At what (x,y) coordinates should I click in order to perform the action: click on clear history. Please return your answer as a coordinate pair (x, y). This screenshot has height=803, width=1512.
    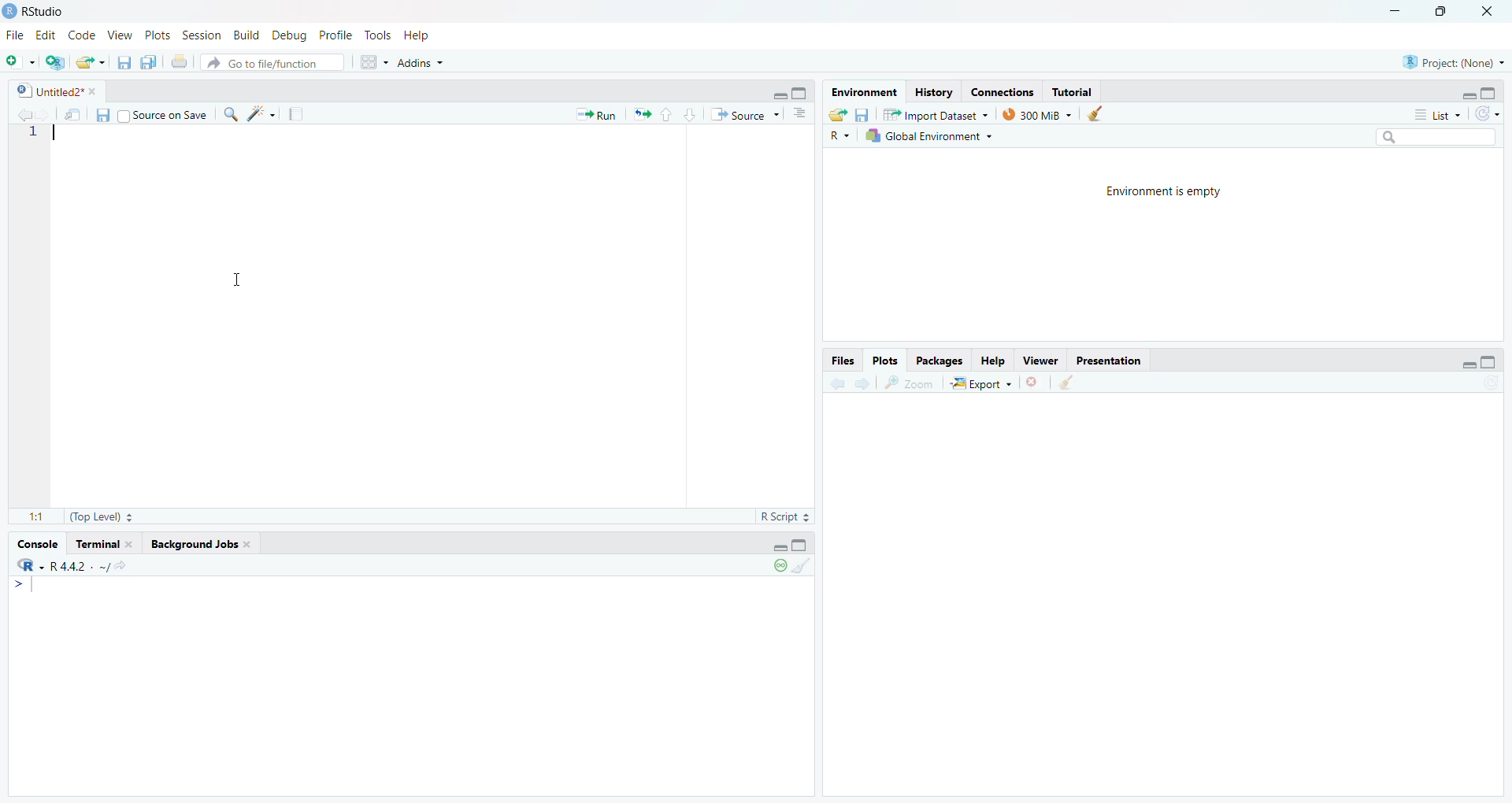
    Looking at the image, I should click on (1102, 113).